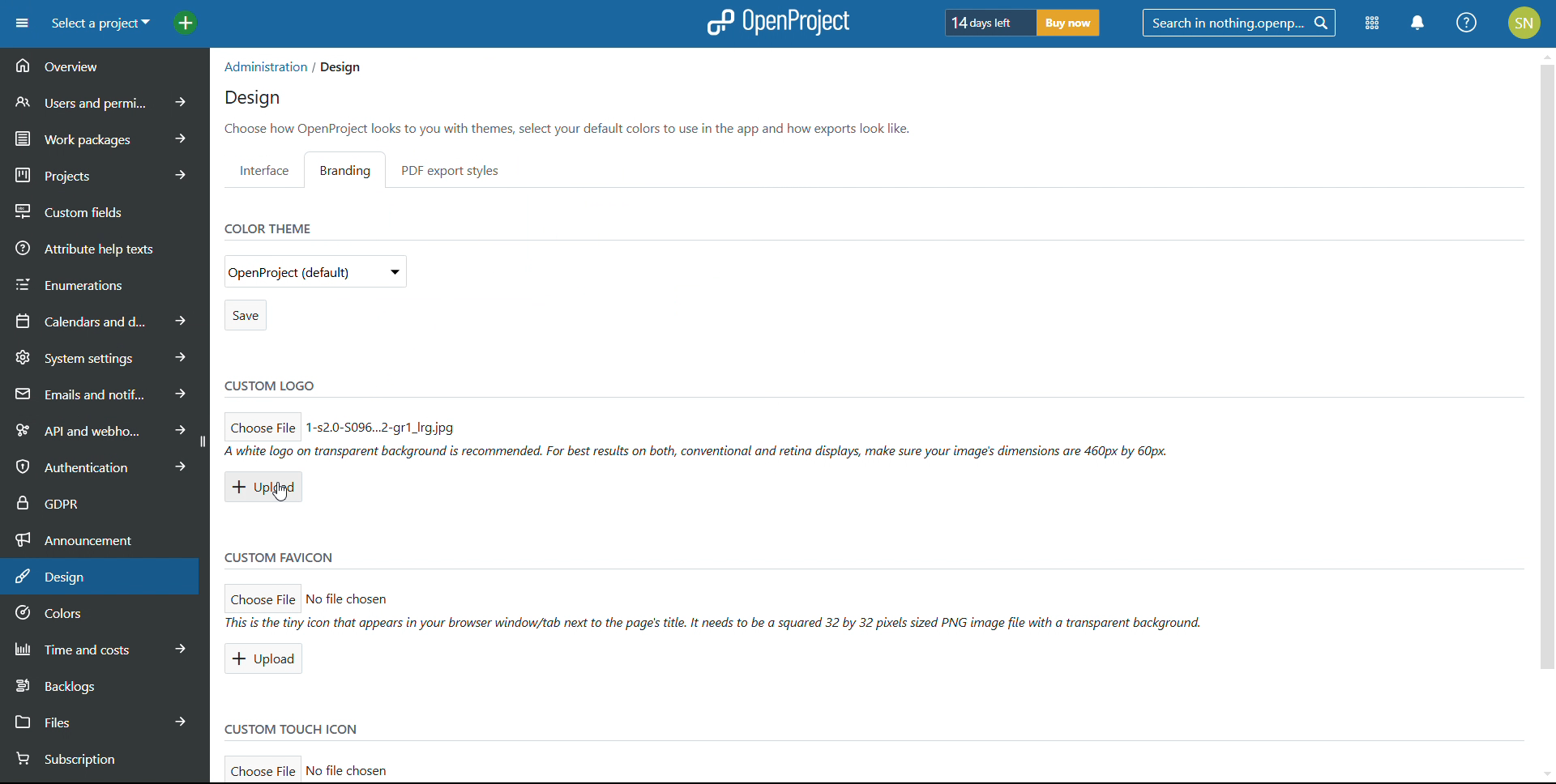 The image size is (1556, 784). Describe the element at coordinates (1468, 23) in the screenshot. I see `help` at that location.